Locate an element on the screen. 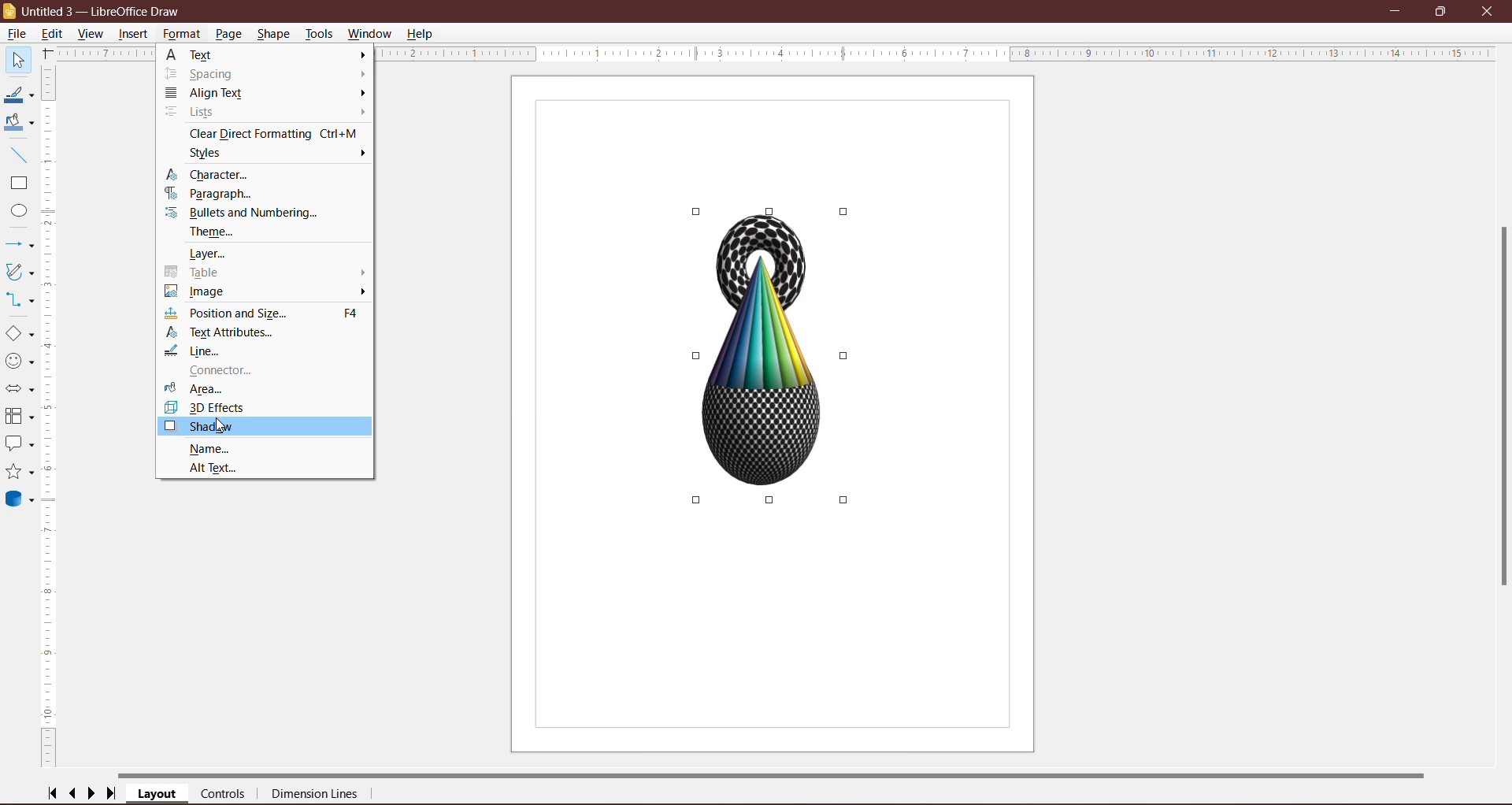 Image resolution: width=1512 pixels, height=805 pixels. Select is located at coordinates (17, 59).